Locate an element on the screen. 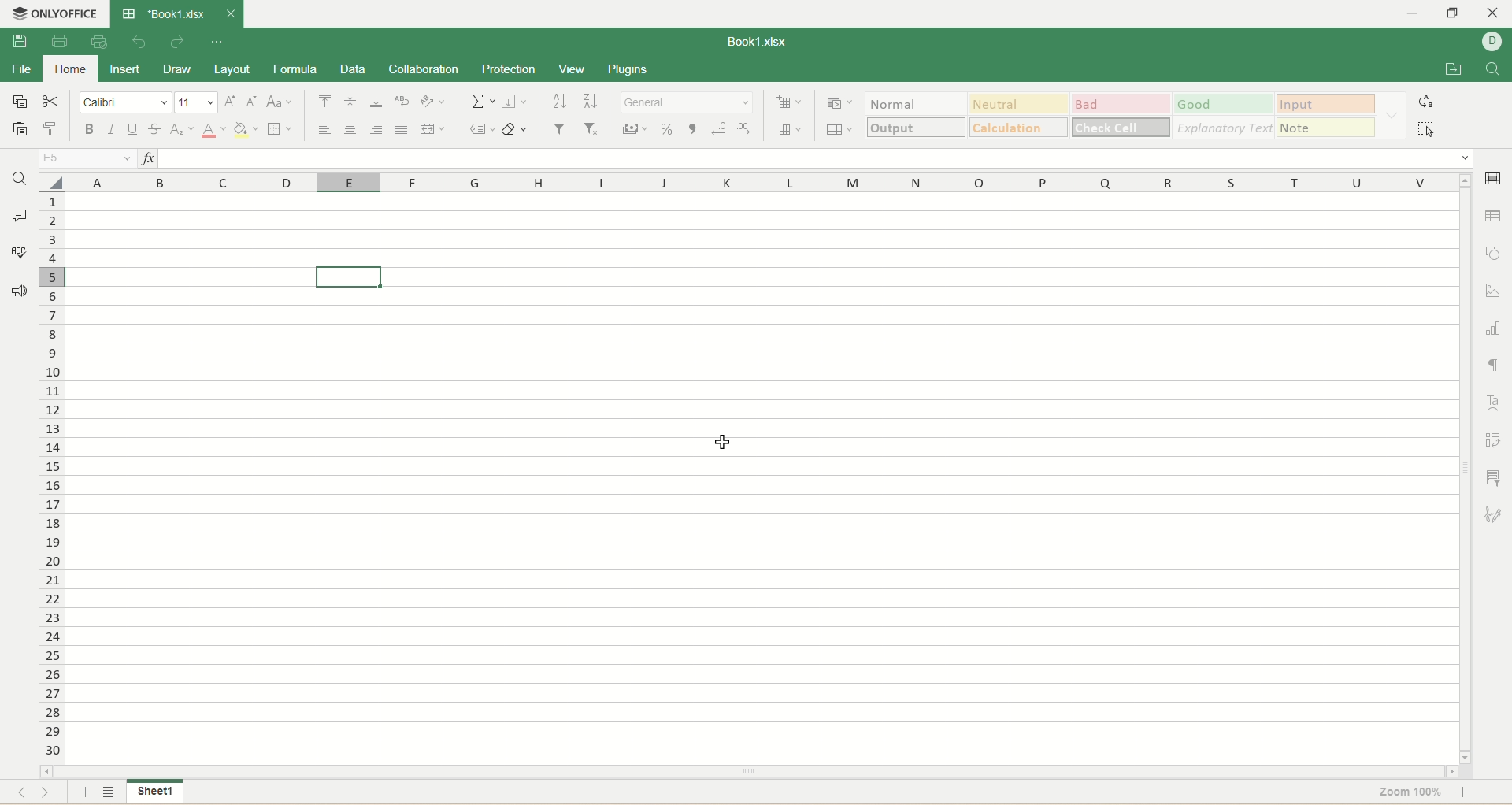 The width and height of the screenshot is (1512, 805). merge and center is located at coordinates (433, 129).